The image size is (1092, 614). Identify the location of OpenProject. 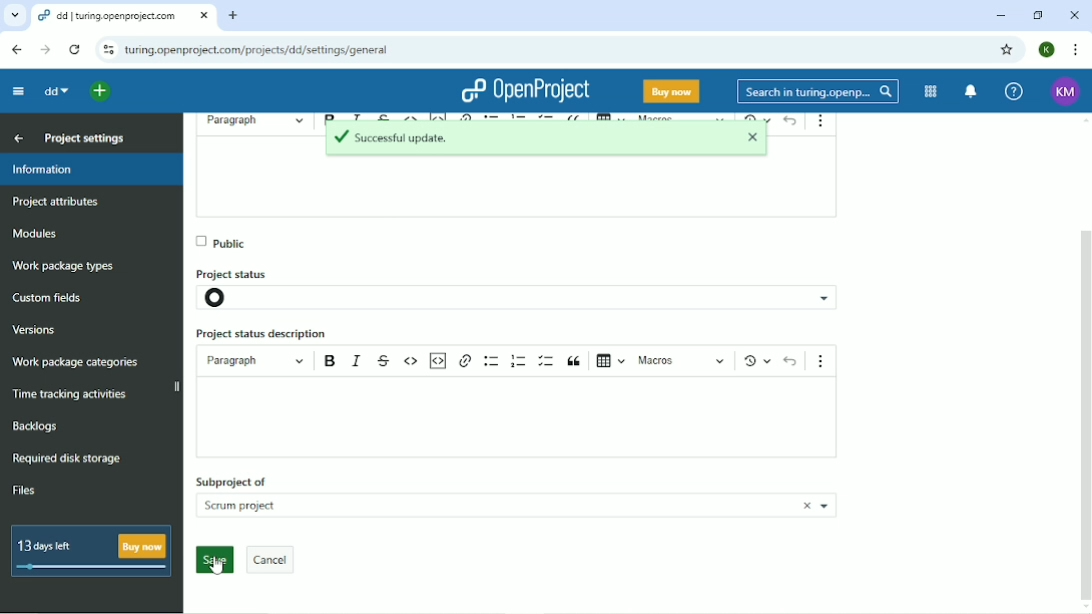
(526, 89).